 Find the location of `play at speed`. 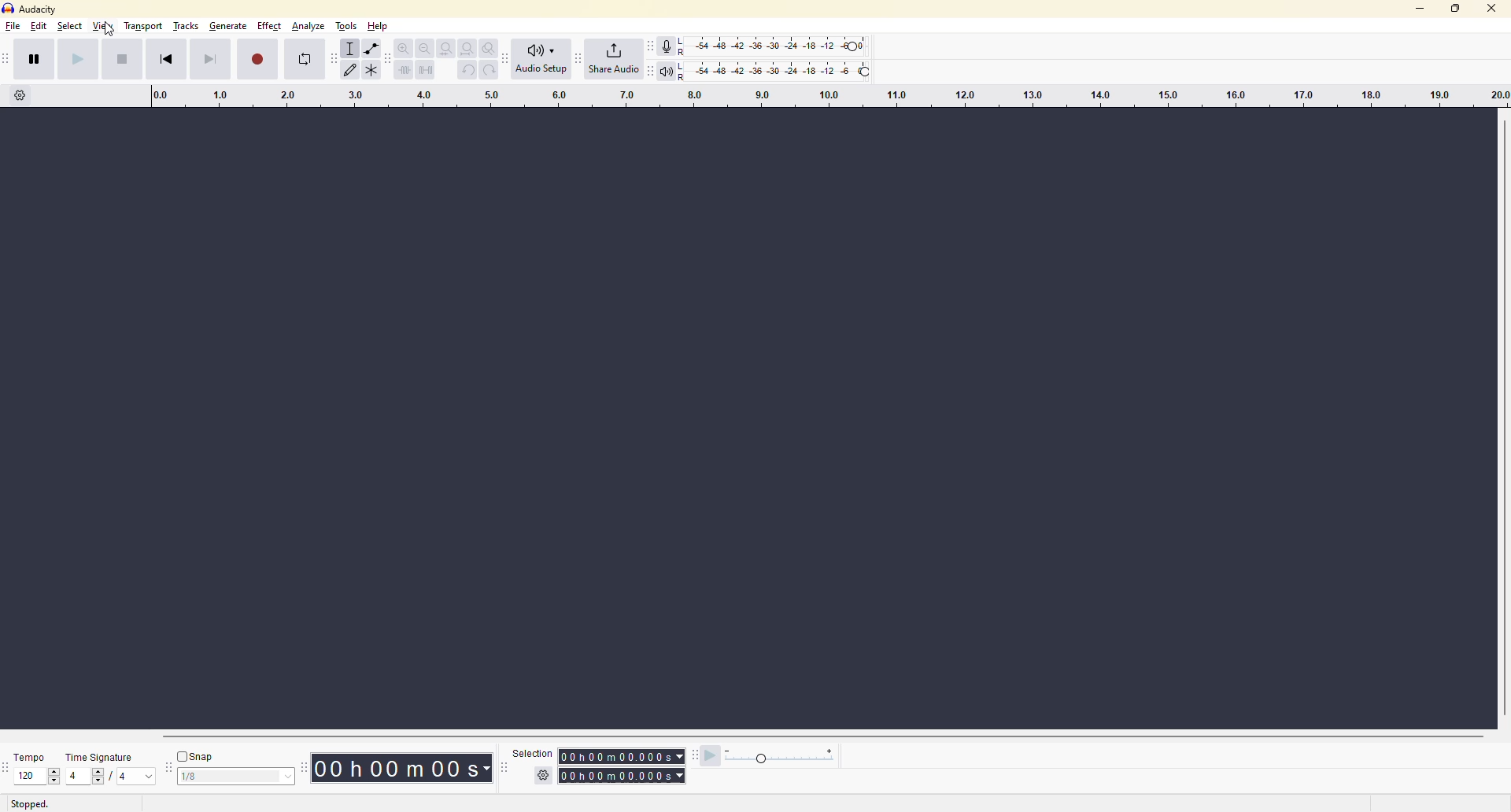

play at speed is located at coordinates (704, 754).